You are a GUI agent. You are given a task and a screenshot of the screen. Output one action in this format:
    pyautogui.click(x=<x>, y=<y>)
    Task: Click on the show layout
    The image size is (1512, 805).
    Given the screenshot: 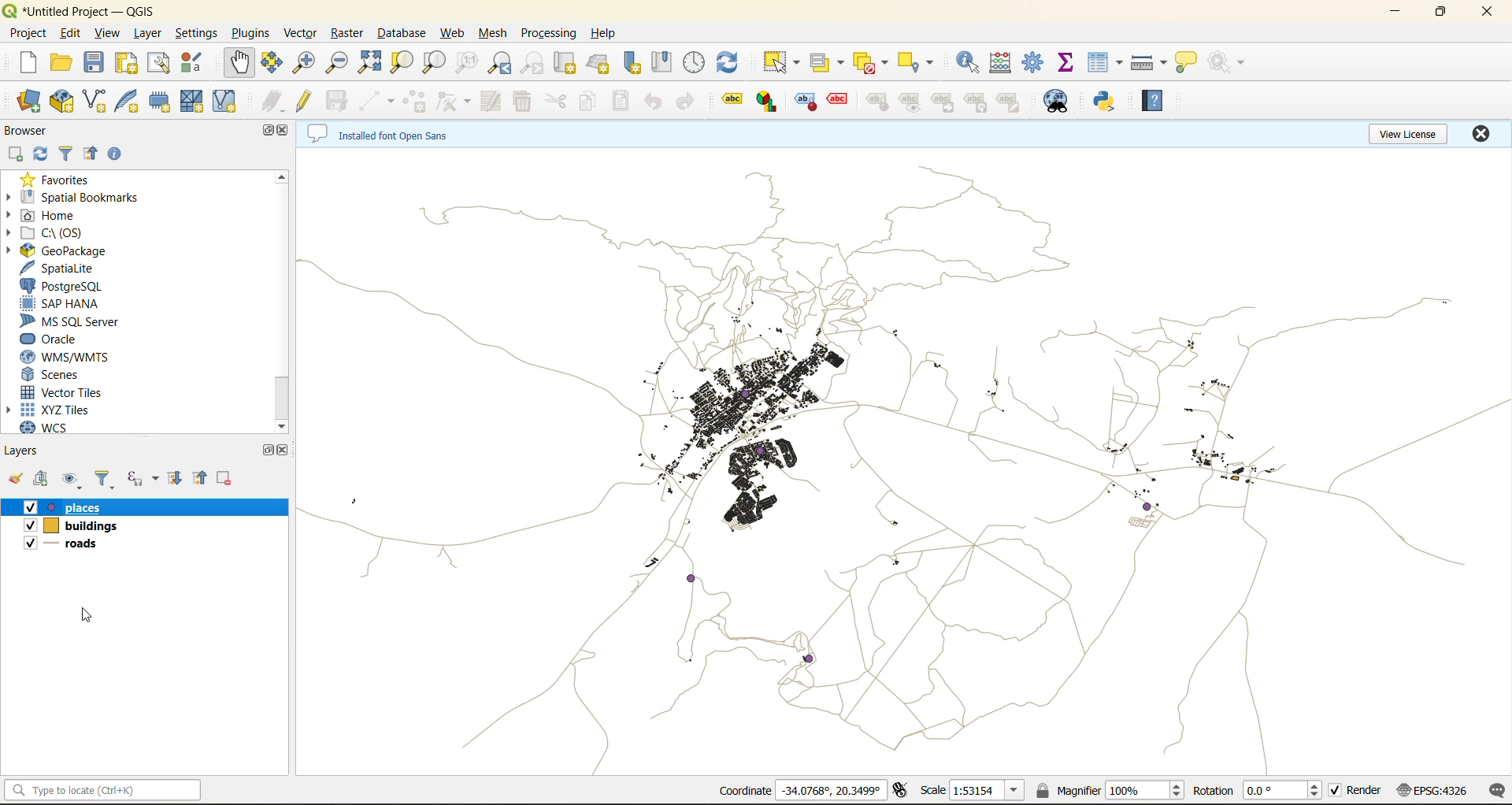 What is the action you would take?
    pyautogui.click(x=159, y=63)
    